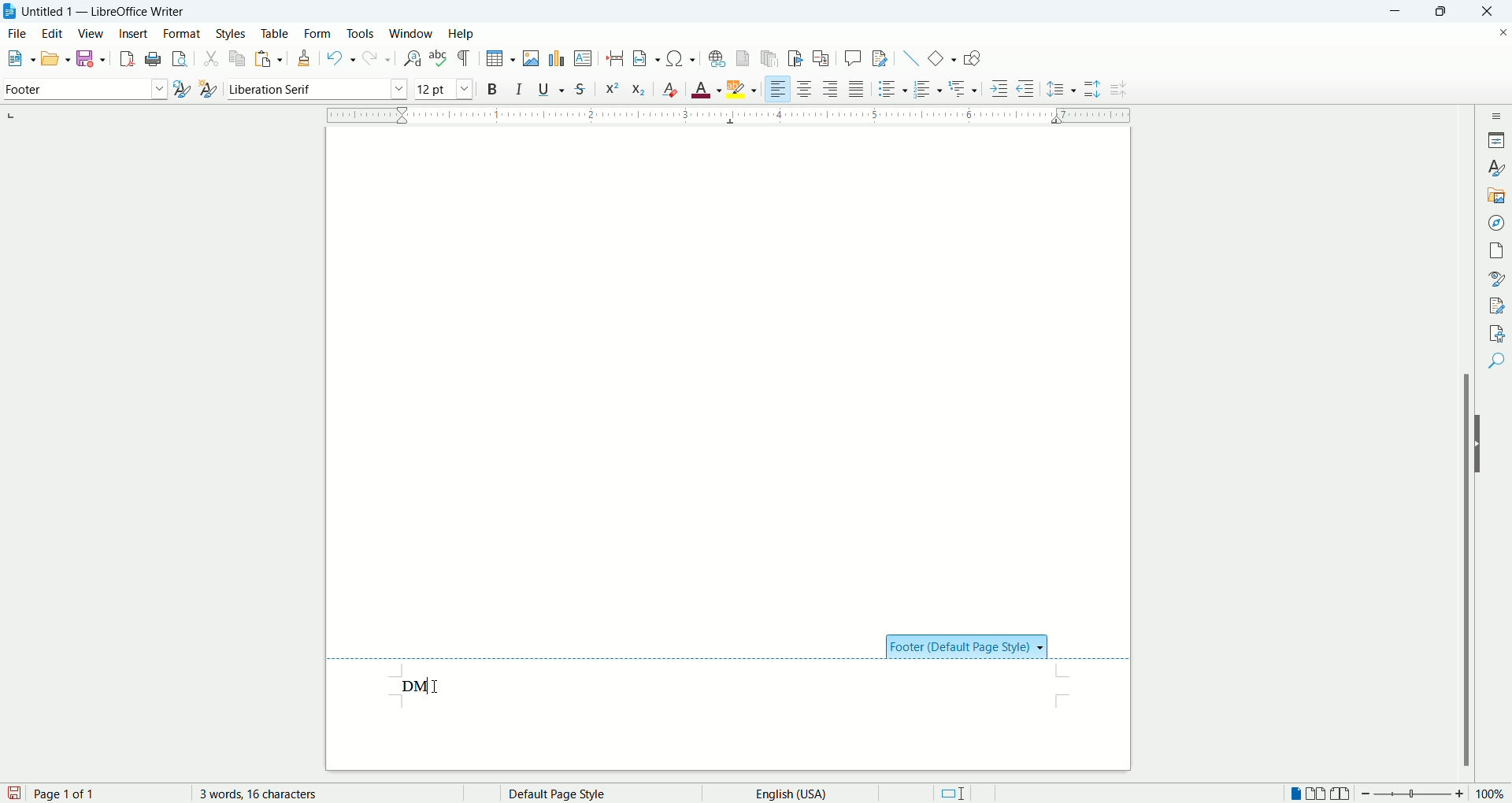 The image size is (1512, 803). Describe the element at coordinates (890, 89) in the screenshot. I see `unordered list` at that location.